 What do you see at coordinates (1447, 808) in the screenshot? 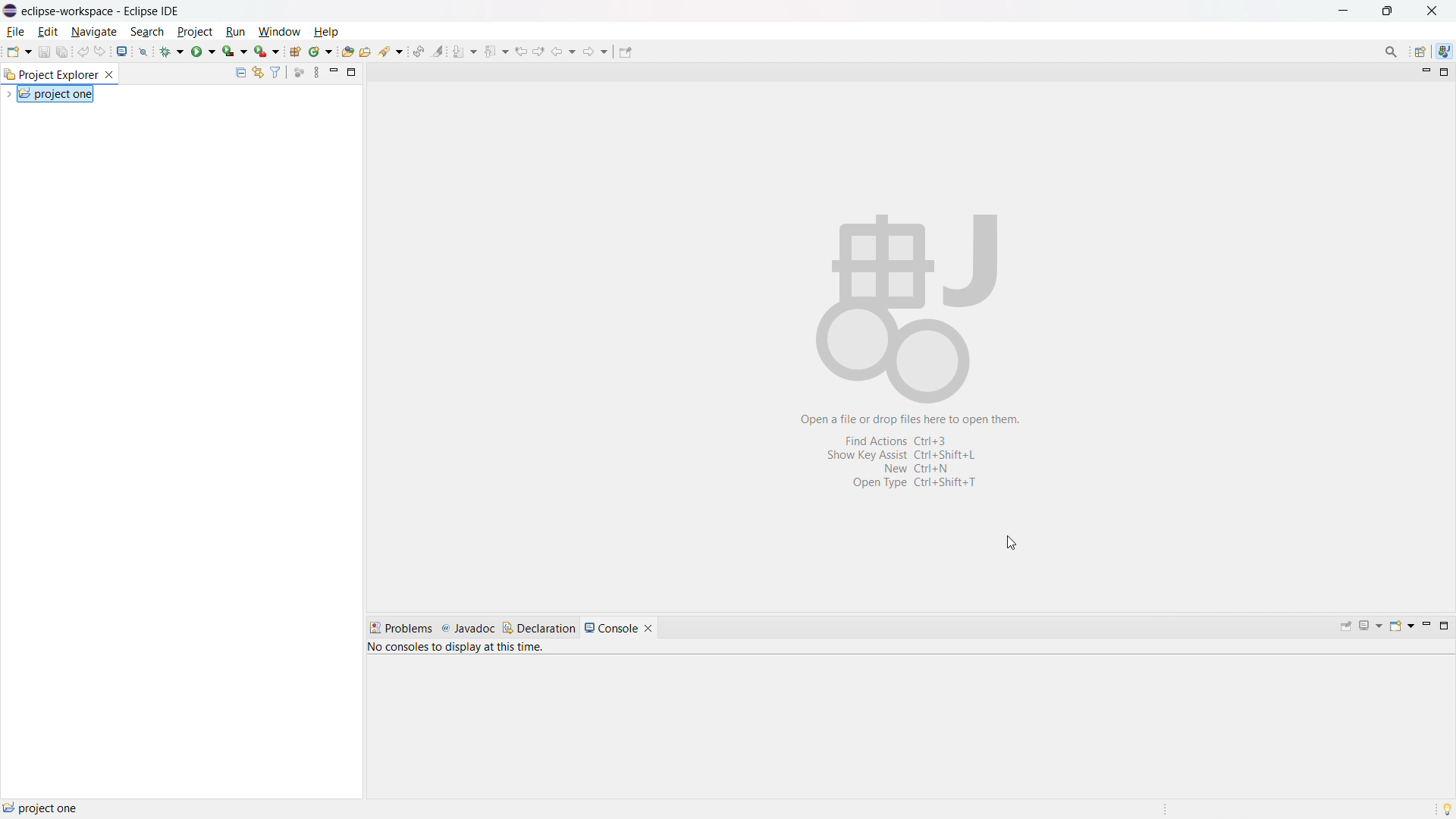
I see `tip of the day` at bounding box center [1447, 808].